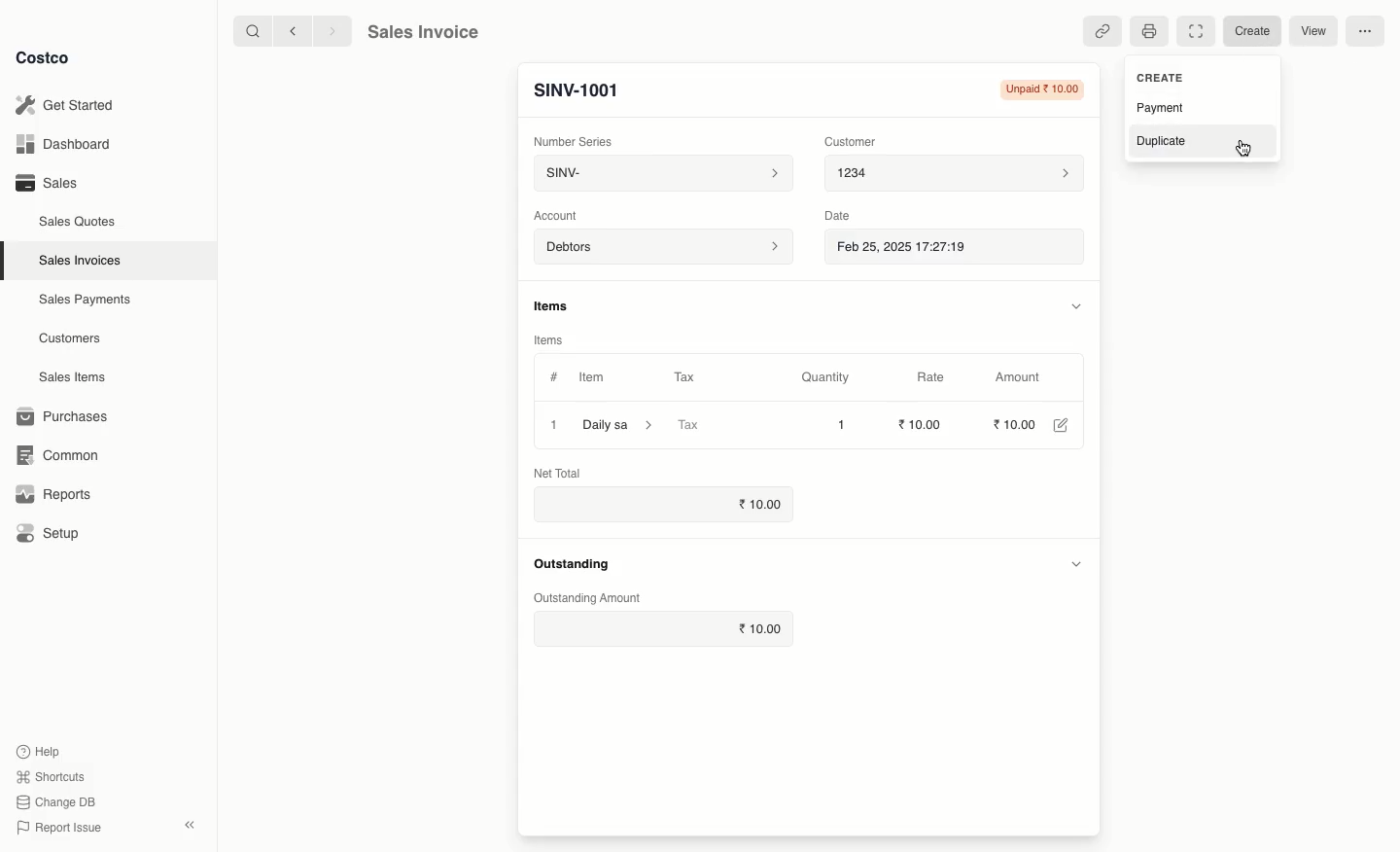  Describe the element at coordinates (663, 174) in the screenshot. I see `SINV-` at that location.